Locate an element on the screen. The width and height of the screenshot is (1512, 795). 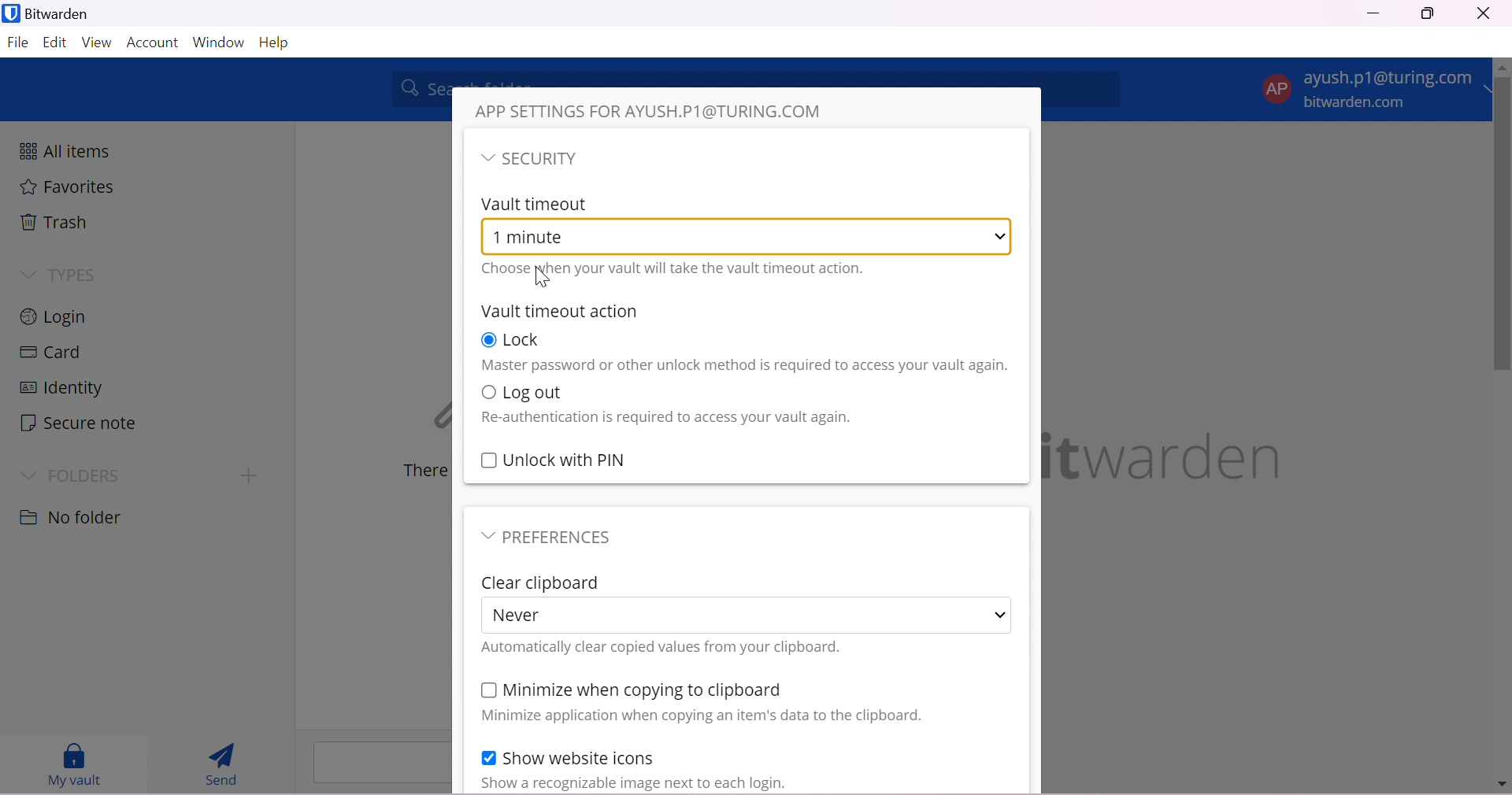
Cursor is located at coordinates (540, 279).